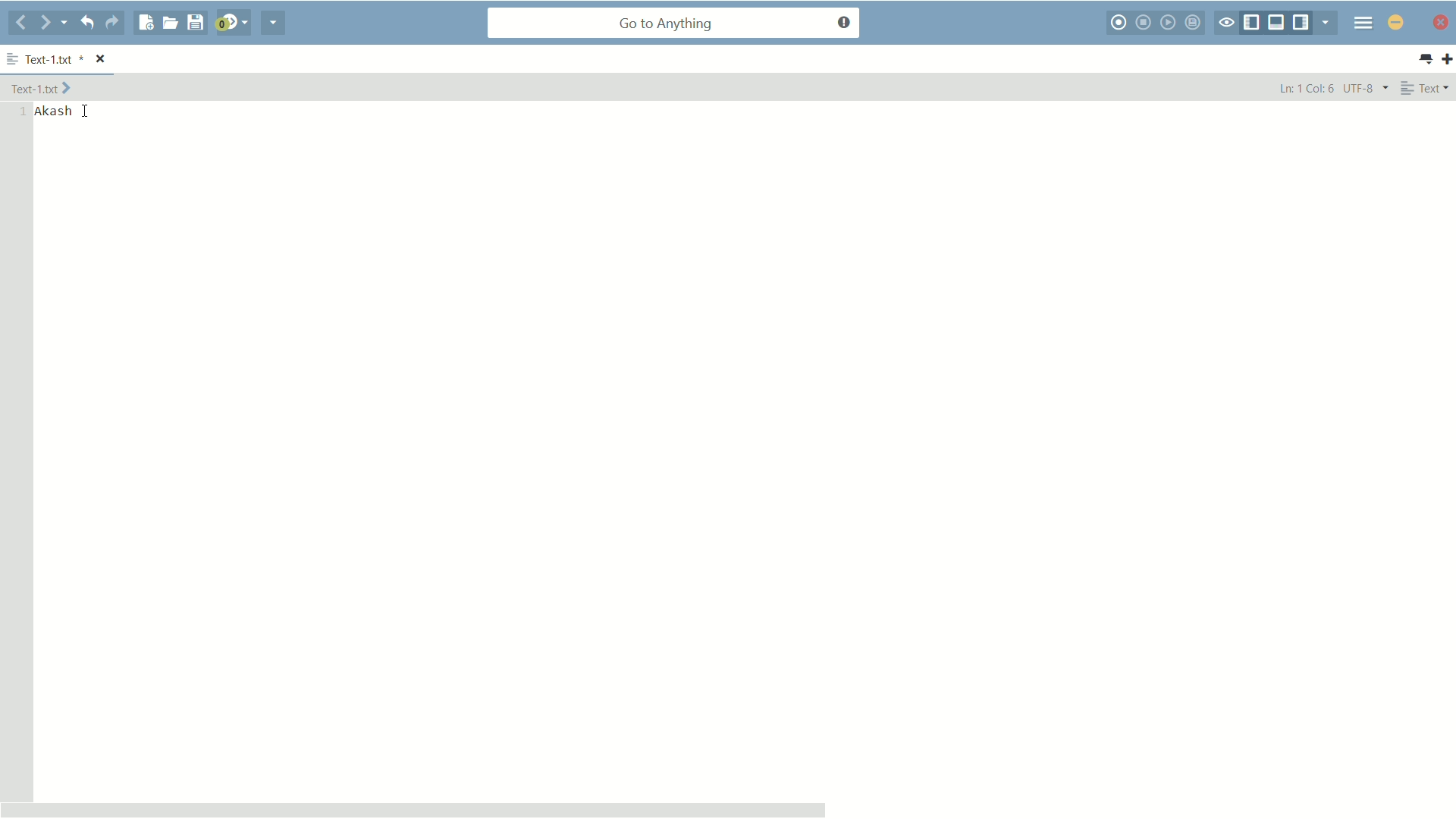 The height and width of the screenshot is (819, 1456). What do you see at coordinates (13, 60) in the screenshot?
I see `more options` at bounding box center [13, 60].